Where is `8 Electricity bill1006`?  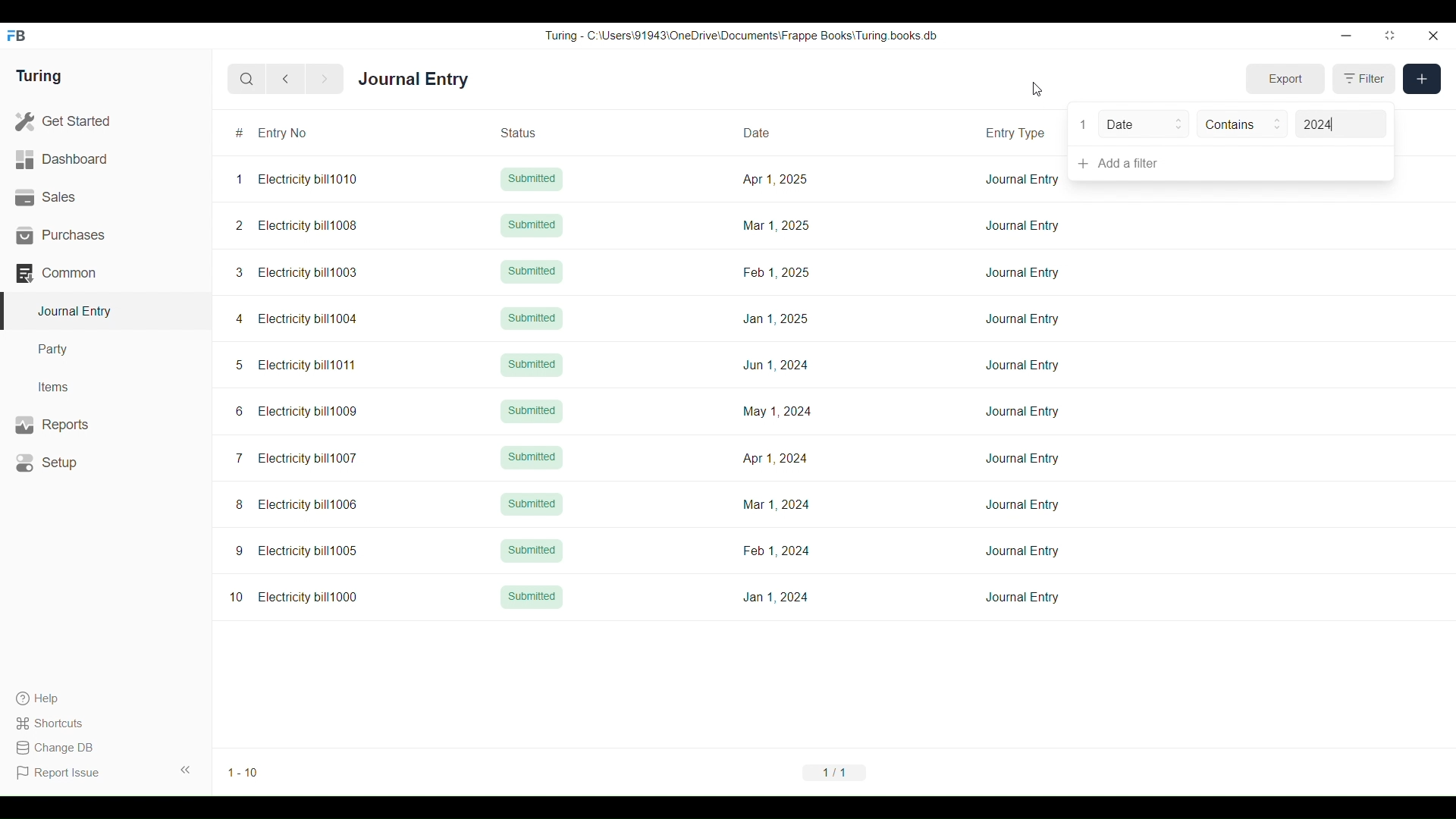
8 Electricity bill1006 is located at coordinates (297, 504).